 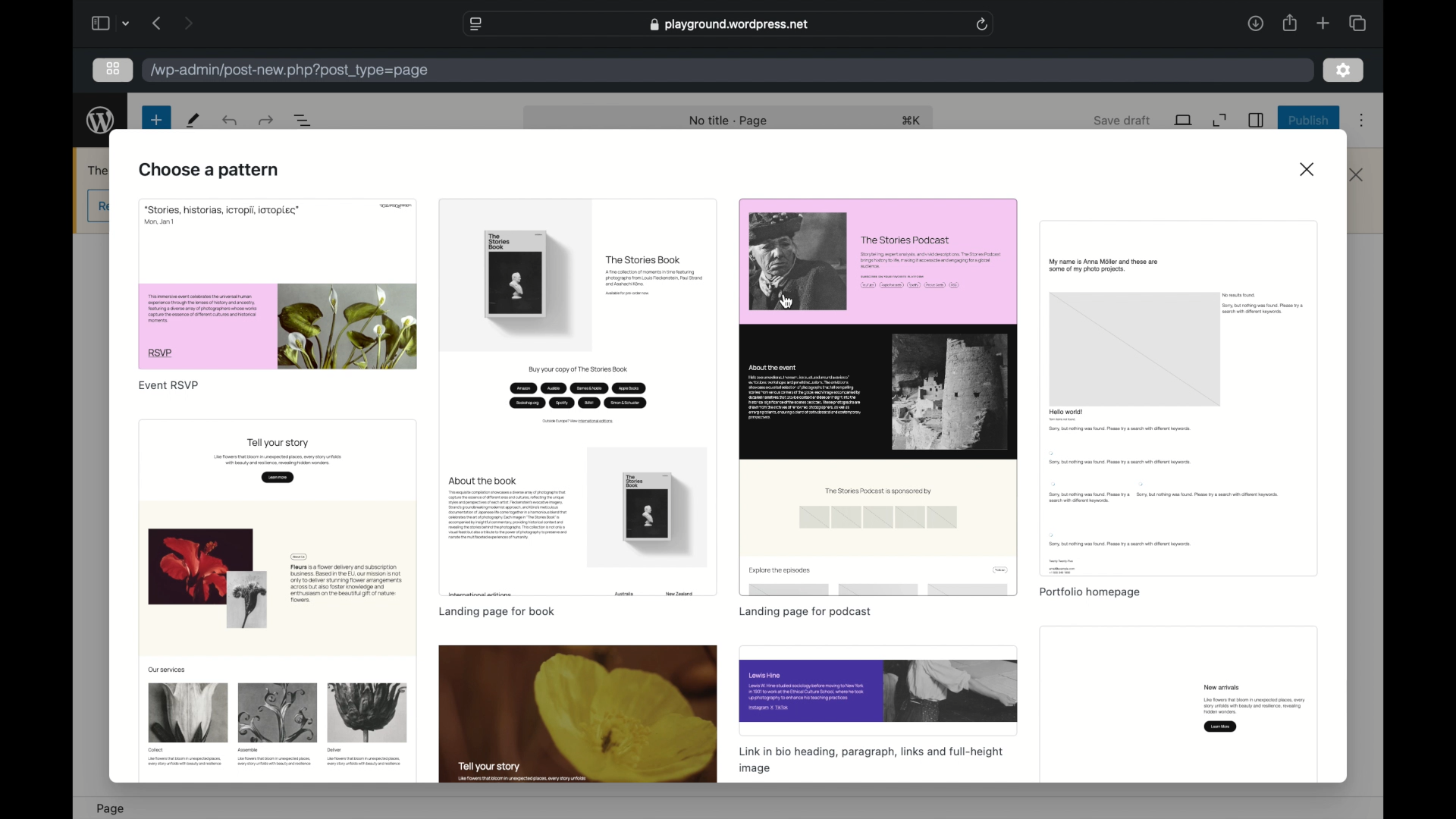 I want to click on preview, so click(x=1178, y=399).